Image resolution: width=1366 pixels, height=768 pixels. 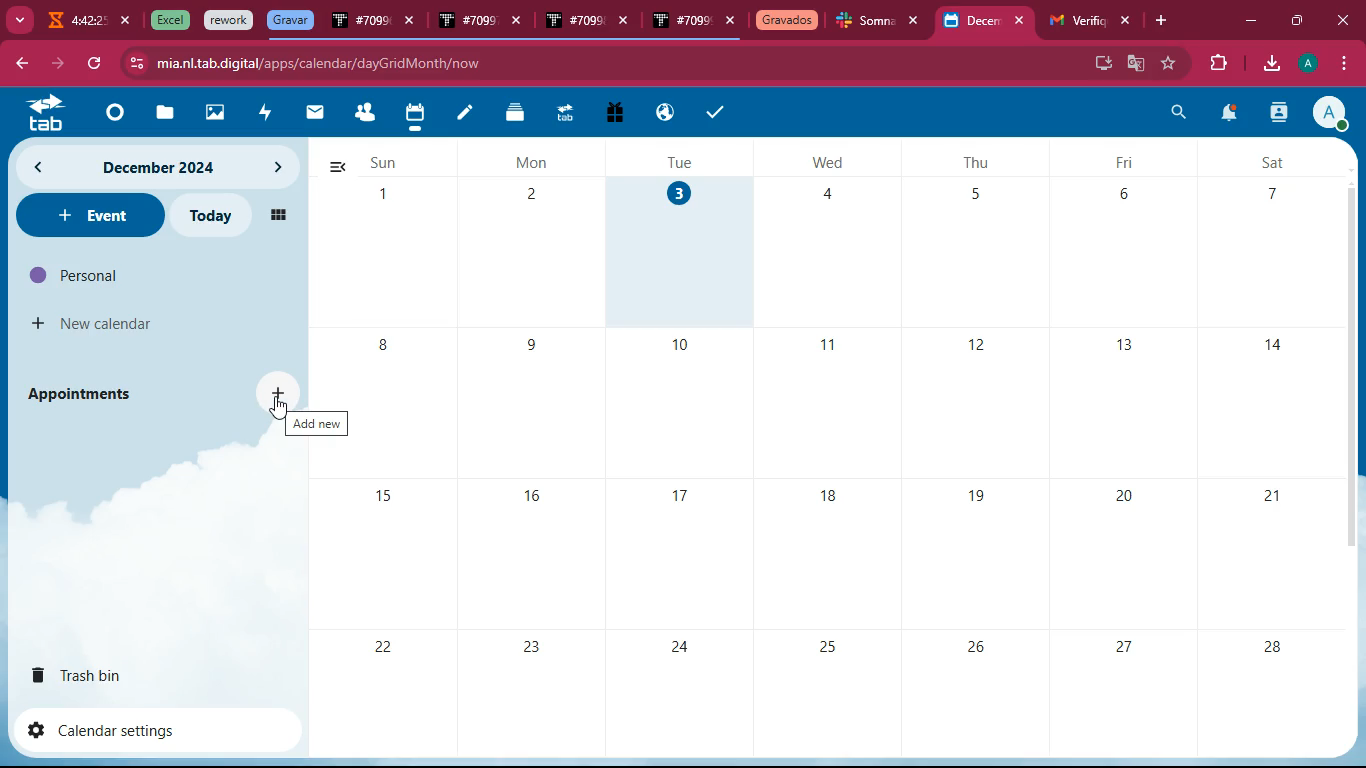 What do you see at coordinates (1341, 64) in the screenshot?
I see `menu` at bounding box center [1341, 64].